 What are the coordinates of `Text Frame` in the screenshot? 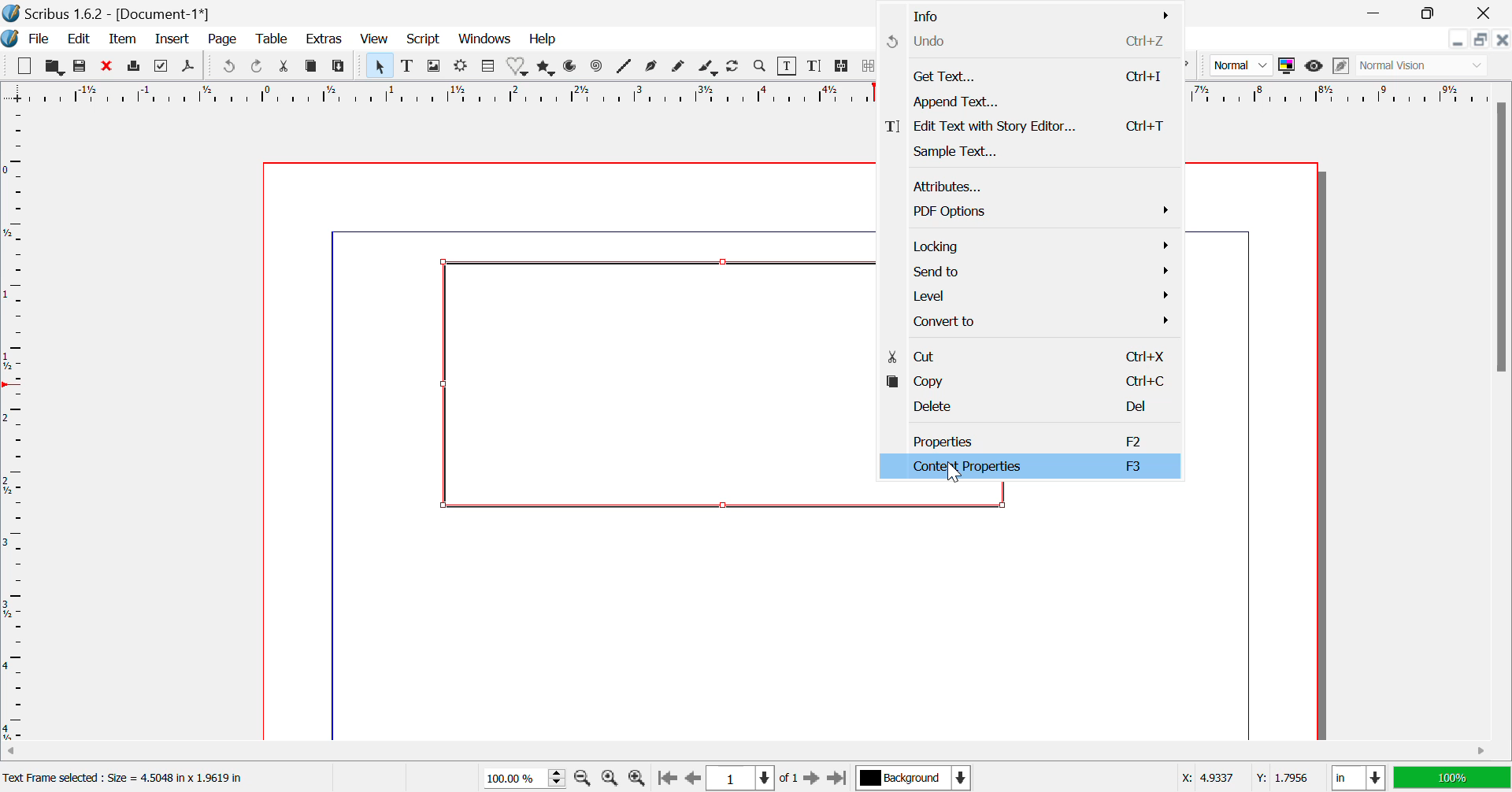 It's located at (408, 68).